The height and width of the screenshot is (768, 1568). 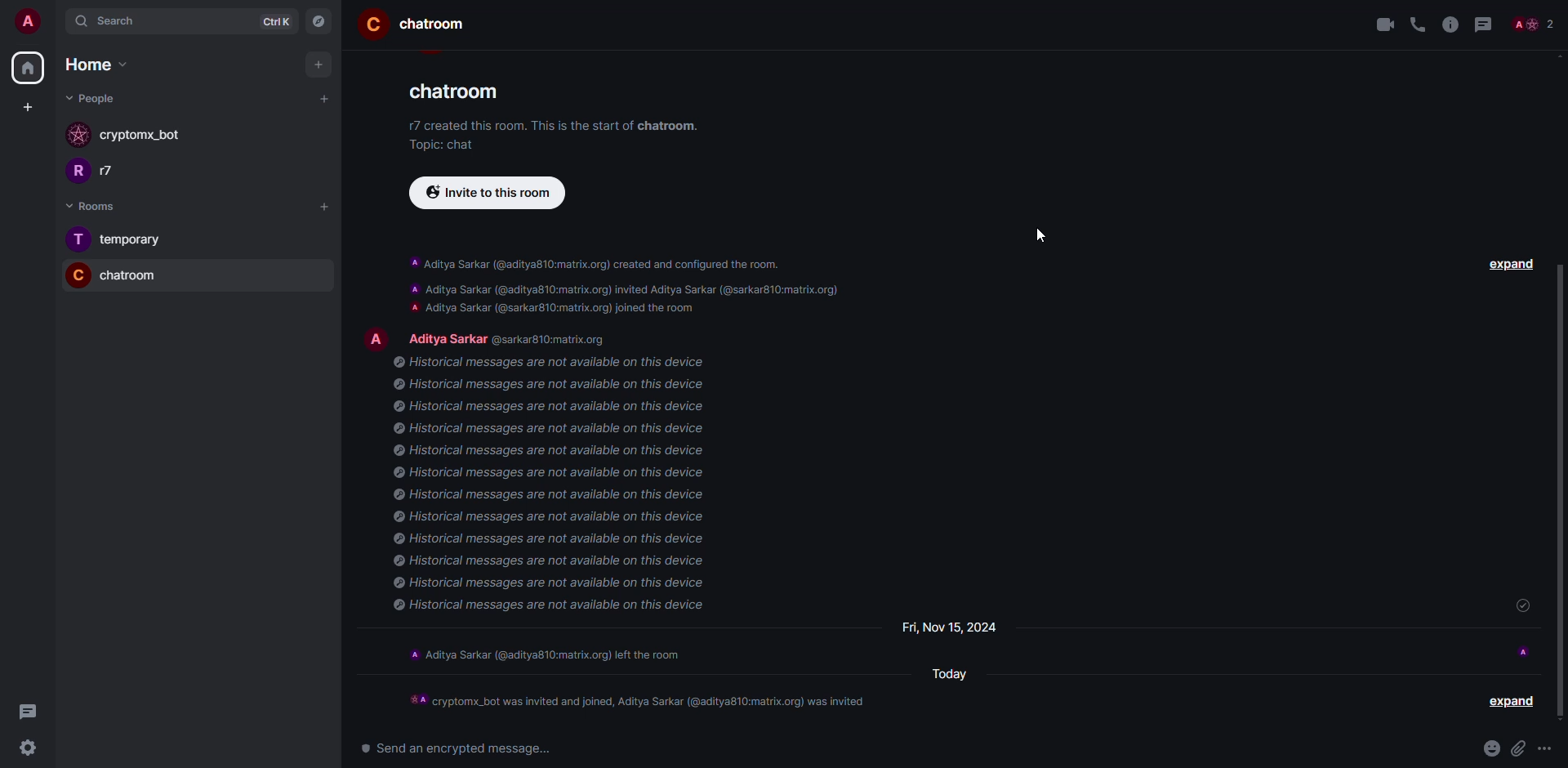 I want to click on info, so click(x=1453, y=25).